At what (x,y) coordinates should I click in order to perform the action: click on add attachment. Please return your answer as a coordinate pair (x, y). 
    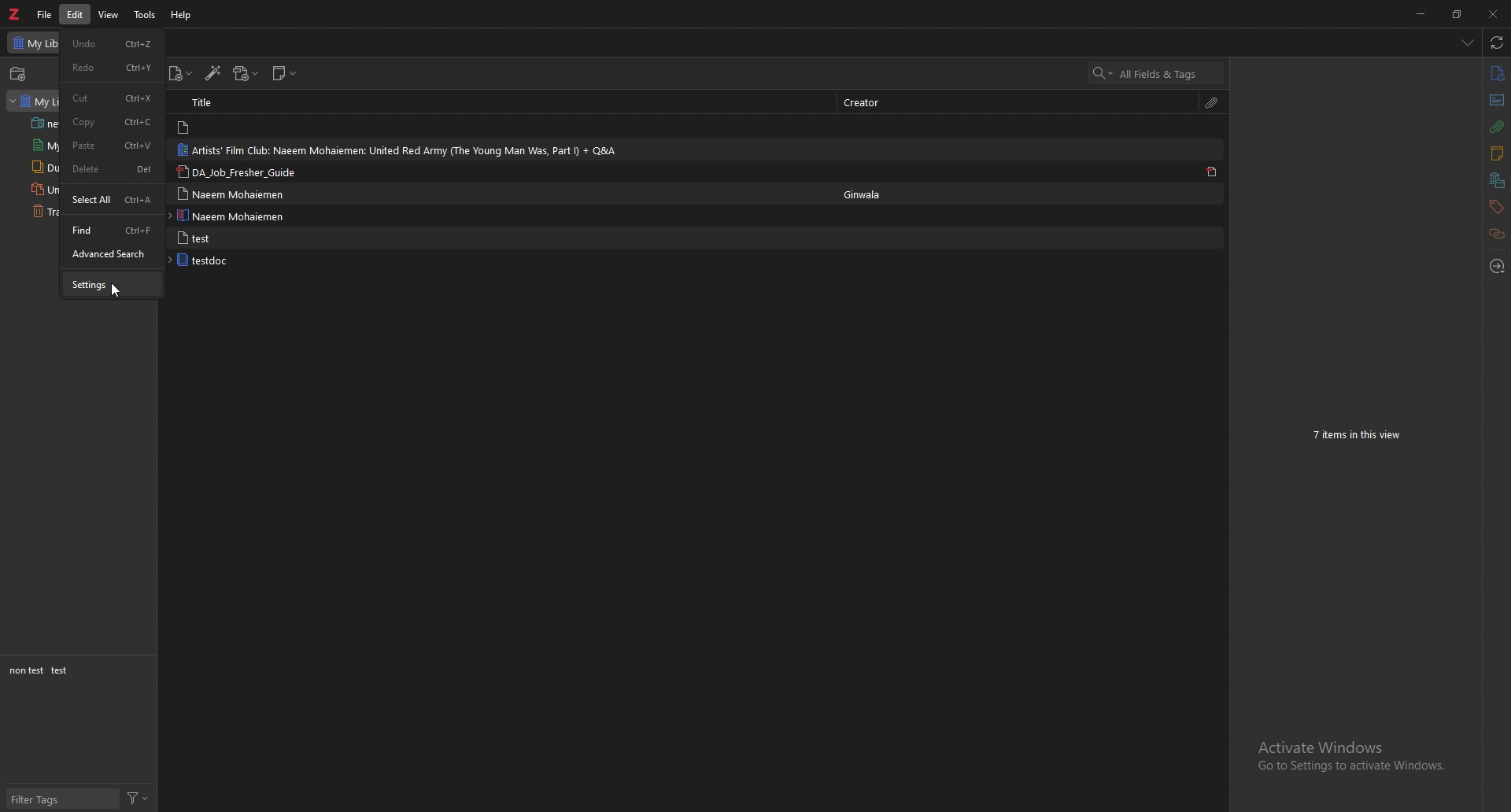
    Looking at the image, I should click on (246, 74).